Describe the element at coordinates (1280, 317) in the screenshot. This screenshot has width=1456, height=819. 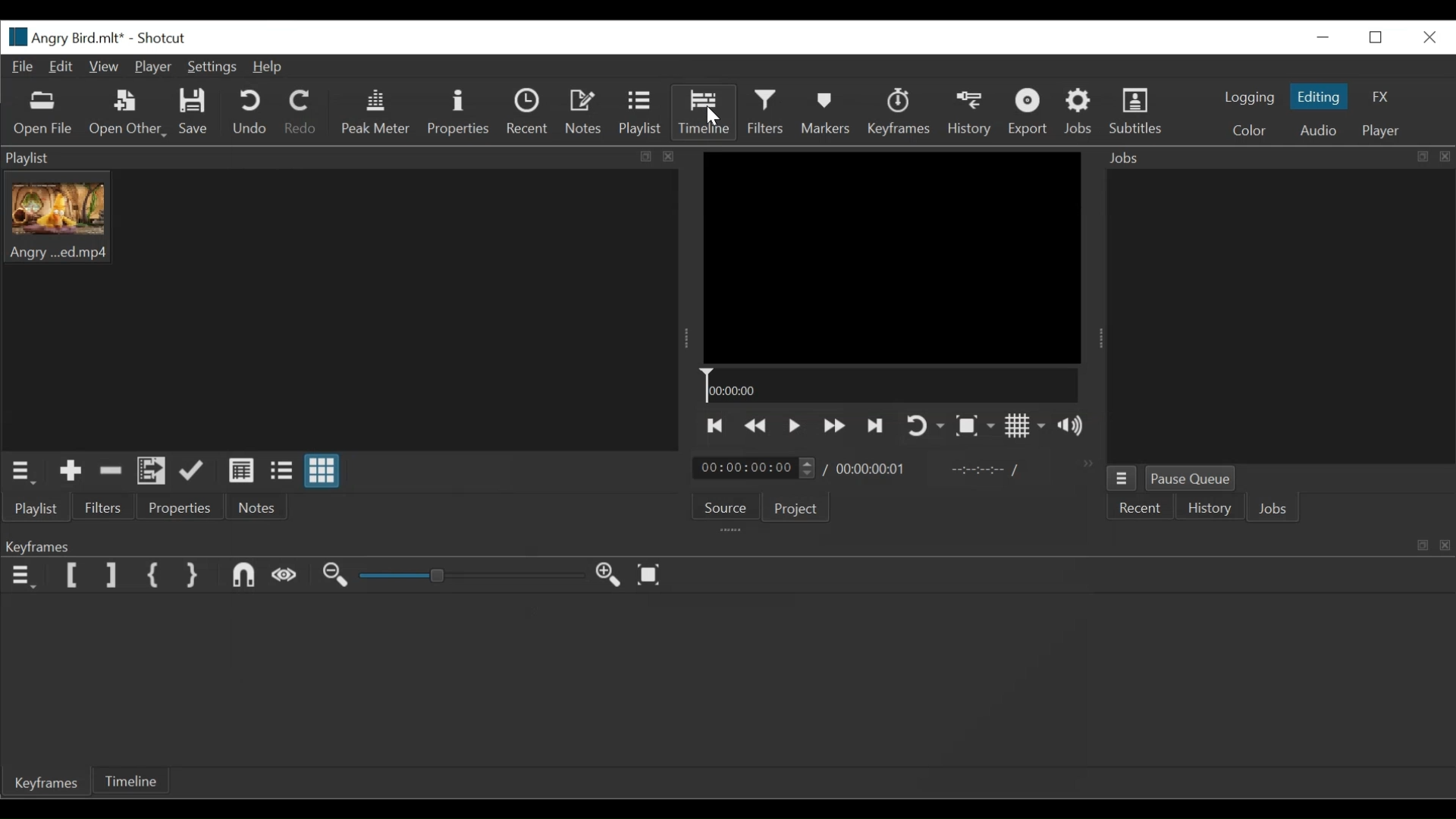
I see `Jobs Panel` at that location.